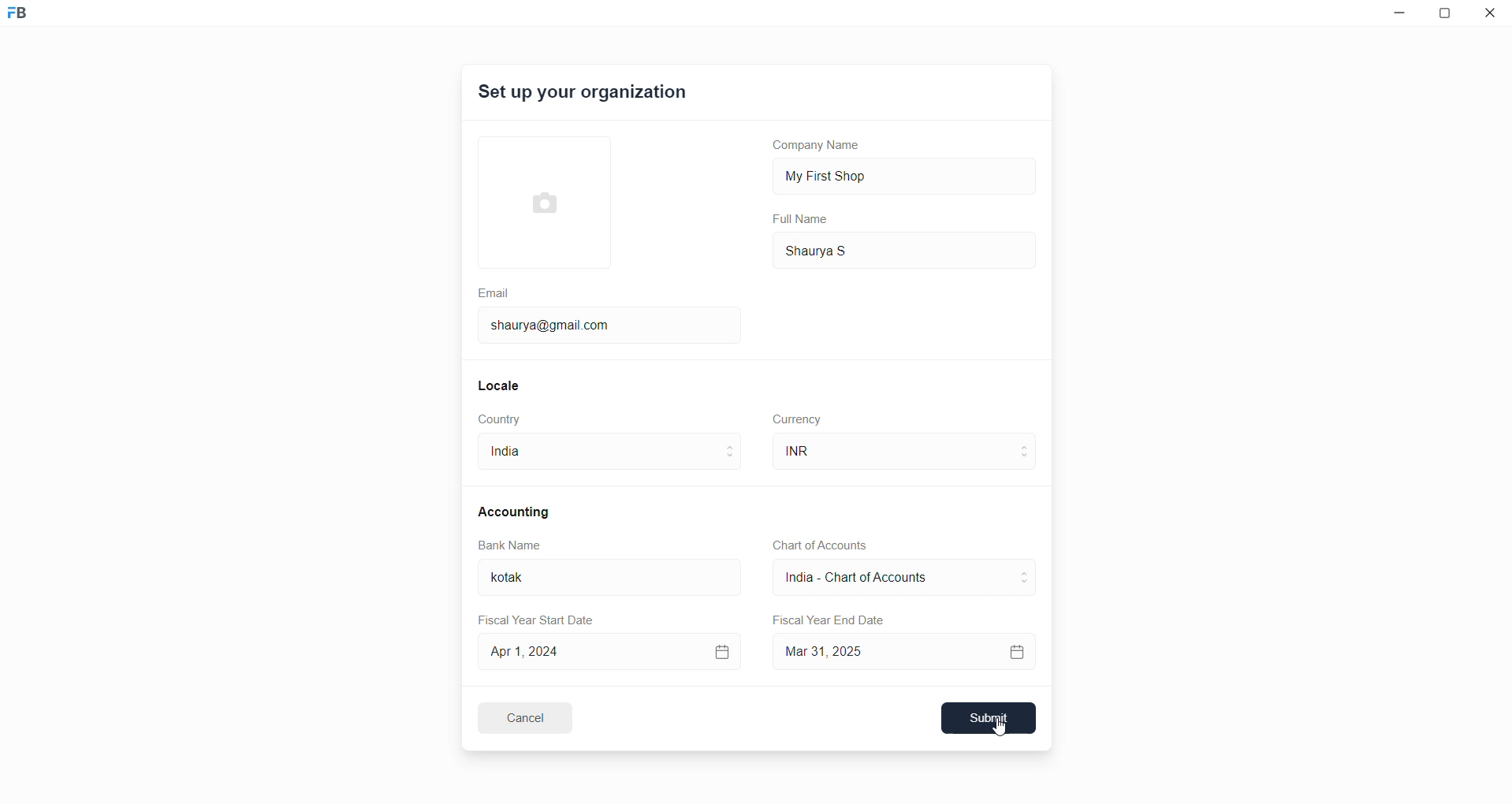 The height and width of the screenshot is (804, 1512). I want to click on Fiscal Year Start Date, so click(542, 617).